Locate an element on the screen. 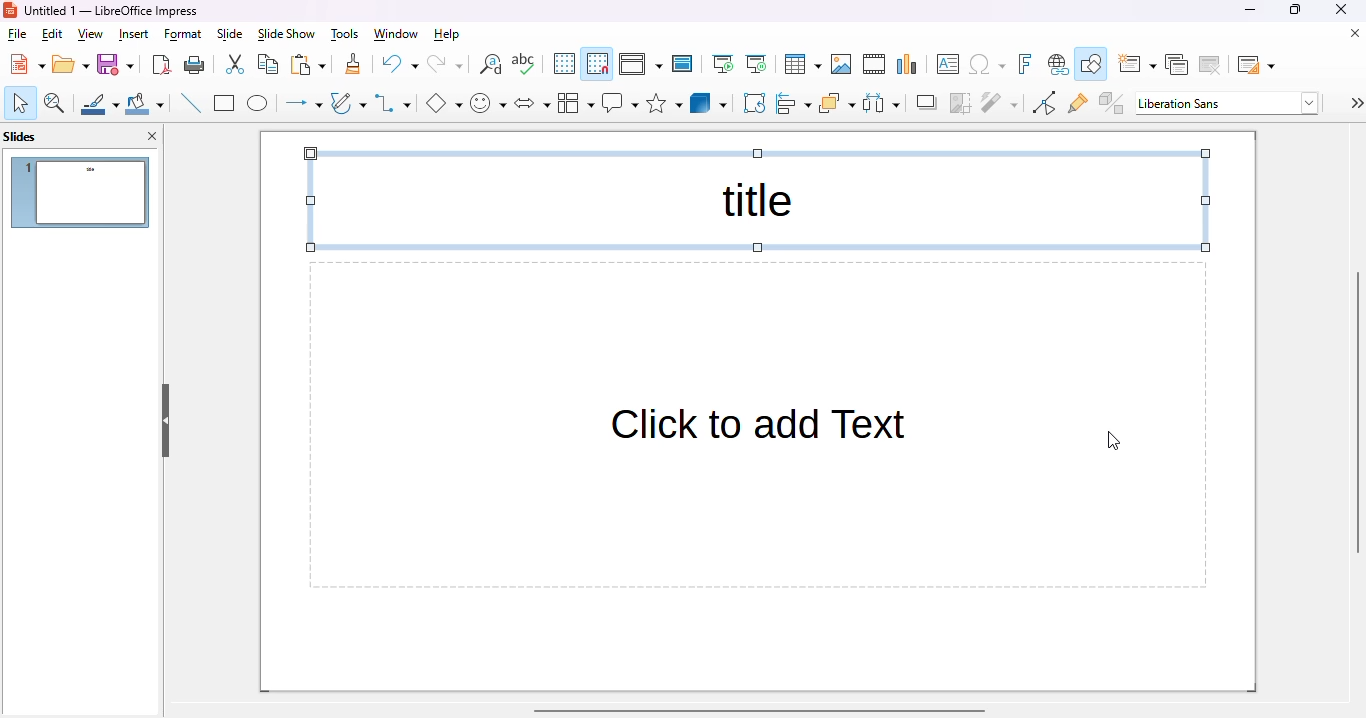 The image size is (1366, 718). insert text box is located at coordinates (946, 64).